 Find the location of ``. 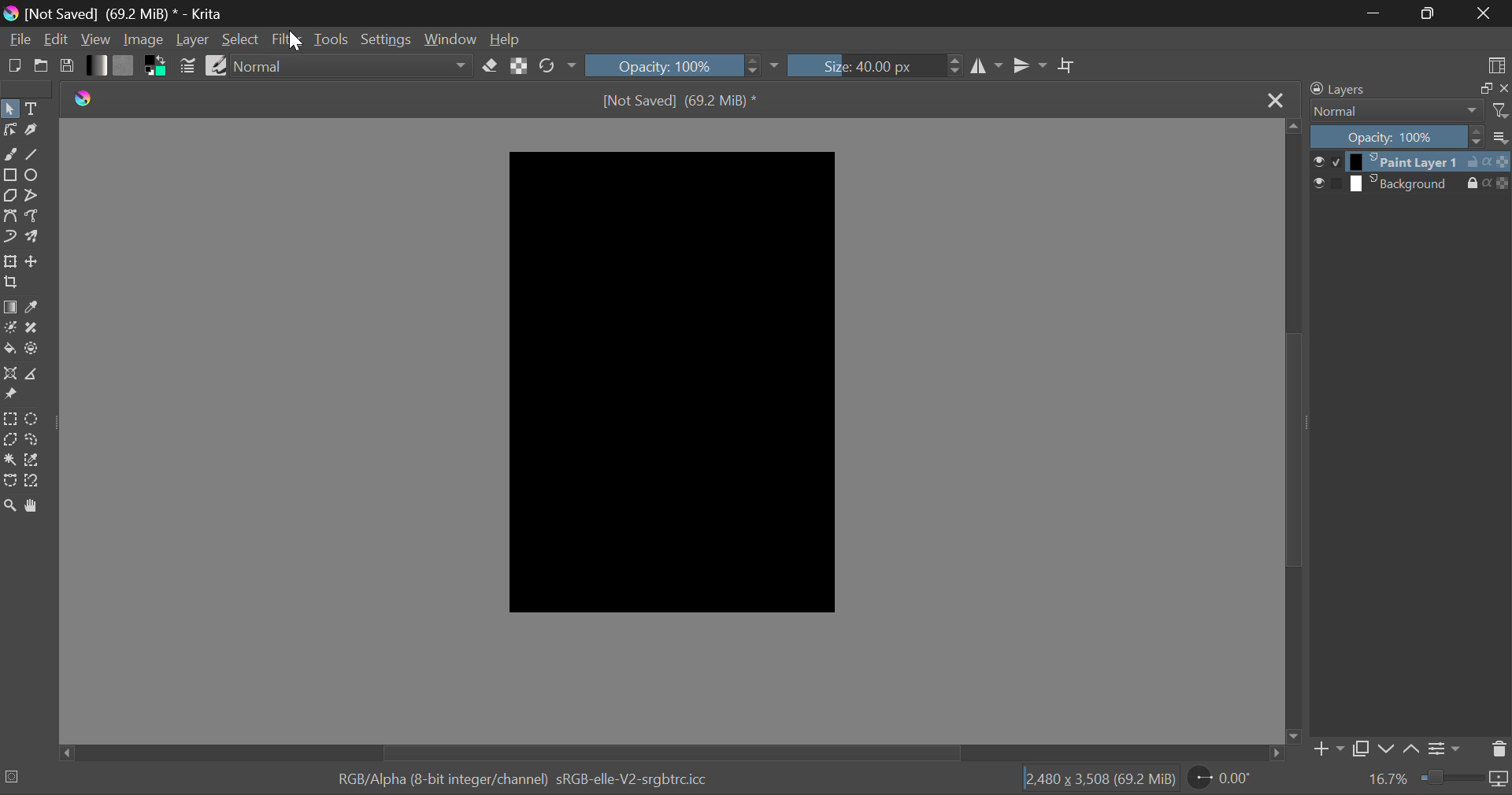

 is located at coordinates (1877, 989).